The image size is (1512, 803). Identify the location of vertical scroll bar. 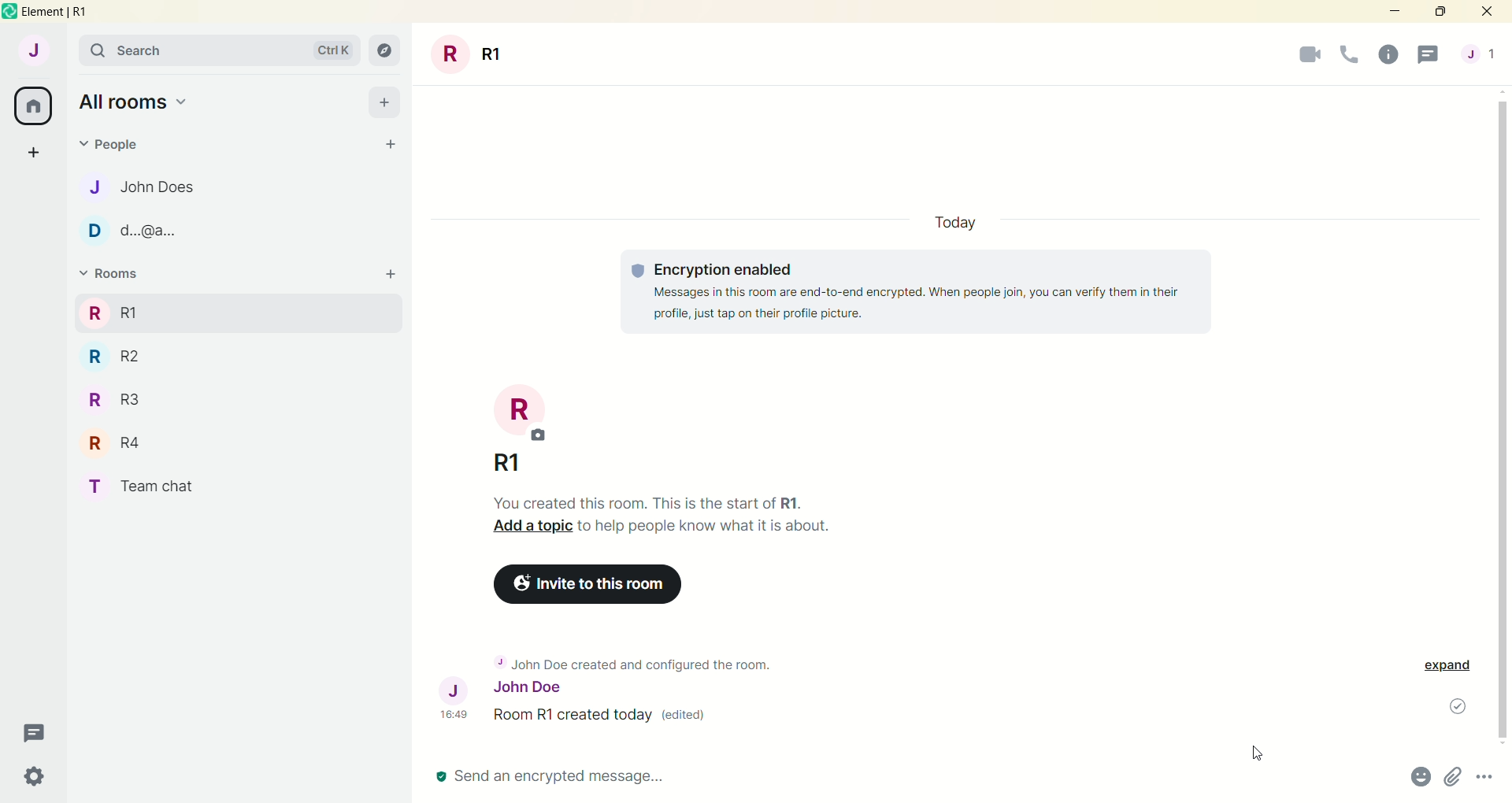
(1503, 417).